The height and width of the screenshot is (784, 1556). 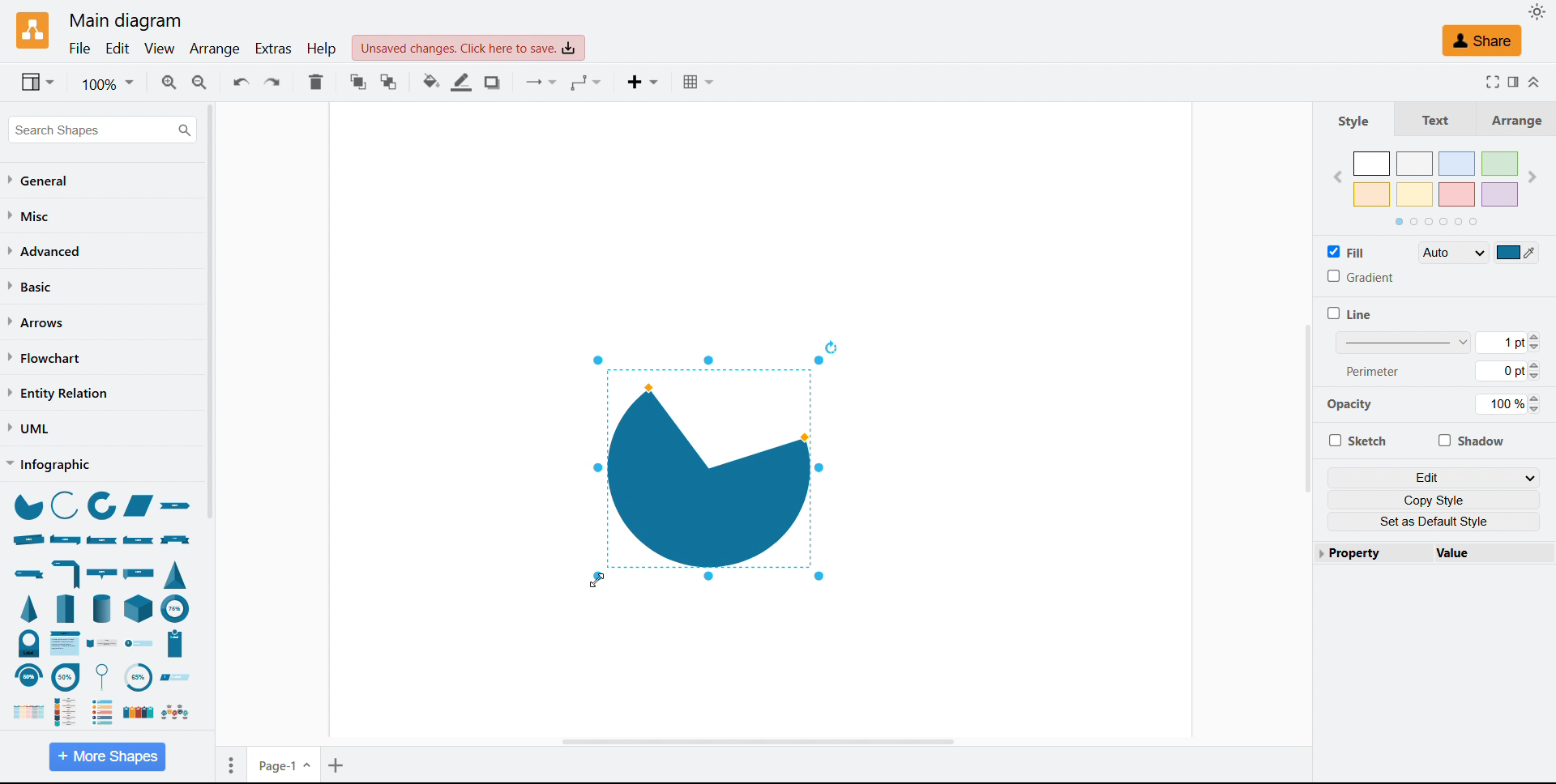 What do you see at coordinates (1507, 404) in the screenshot?
I see `Set opacity ` at bounding box center [1507, 404].